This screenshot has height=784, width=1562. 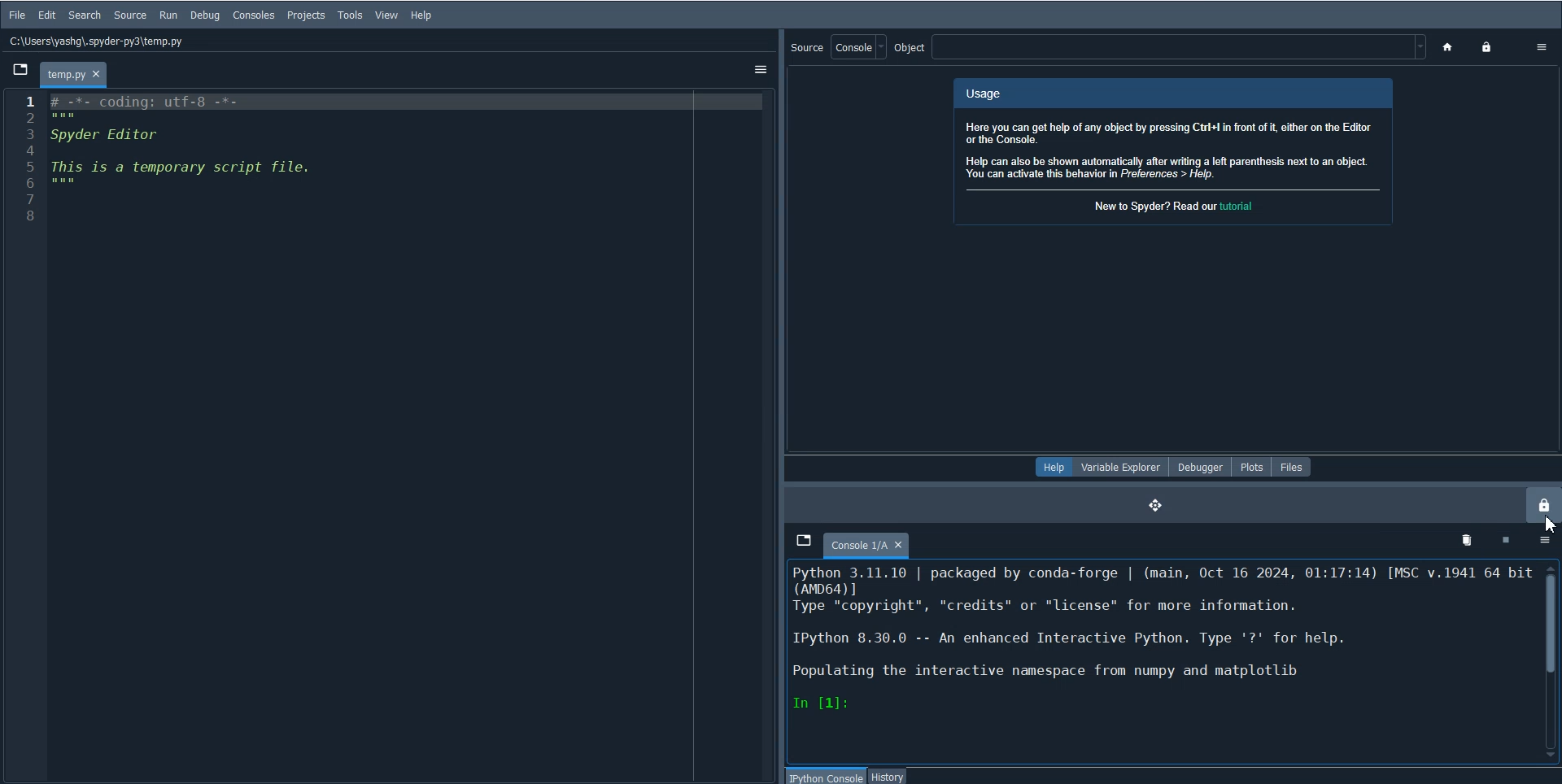 What do you see at coordinates (27, 160) in the screenshot?
I see `Line number` at bounding box center [27, 160].